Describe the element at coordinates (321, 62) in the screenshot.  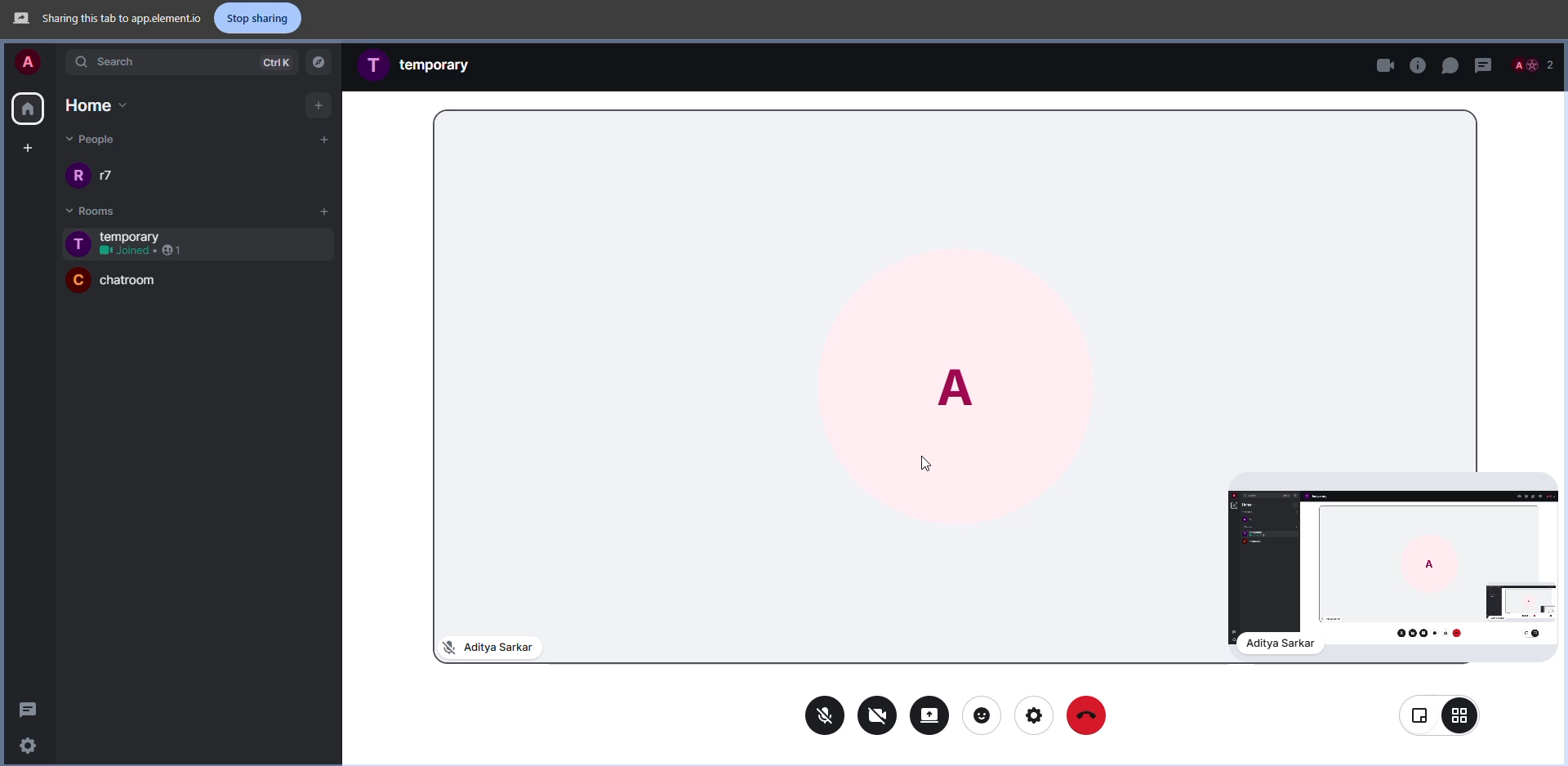
I see `navigator` at that location.